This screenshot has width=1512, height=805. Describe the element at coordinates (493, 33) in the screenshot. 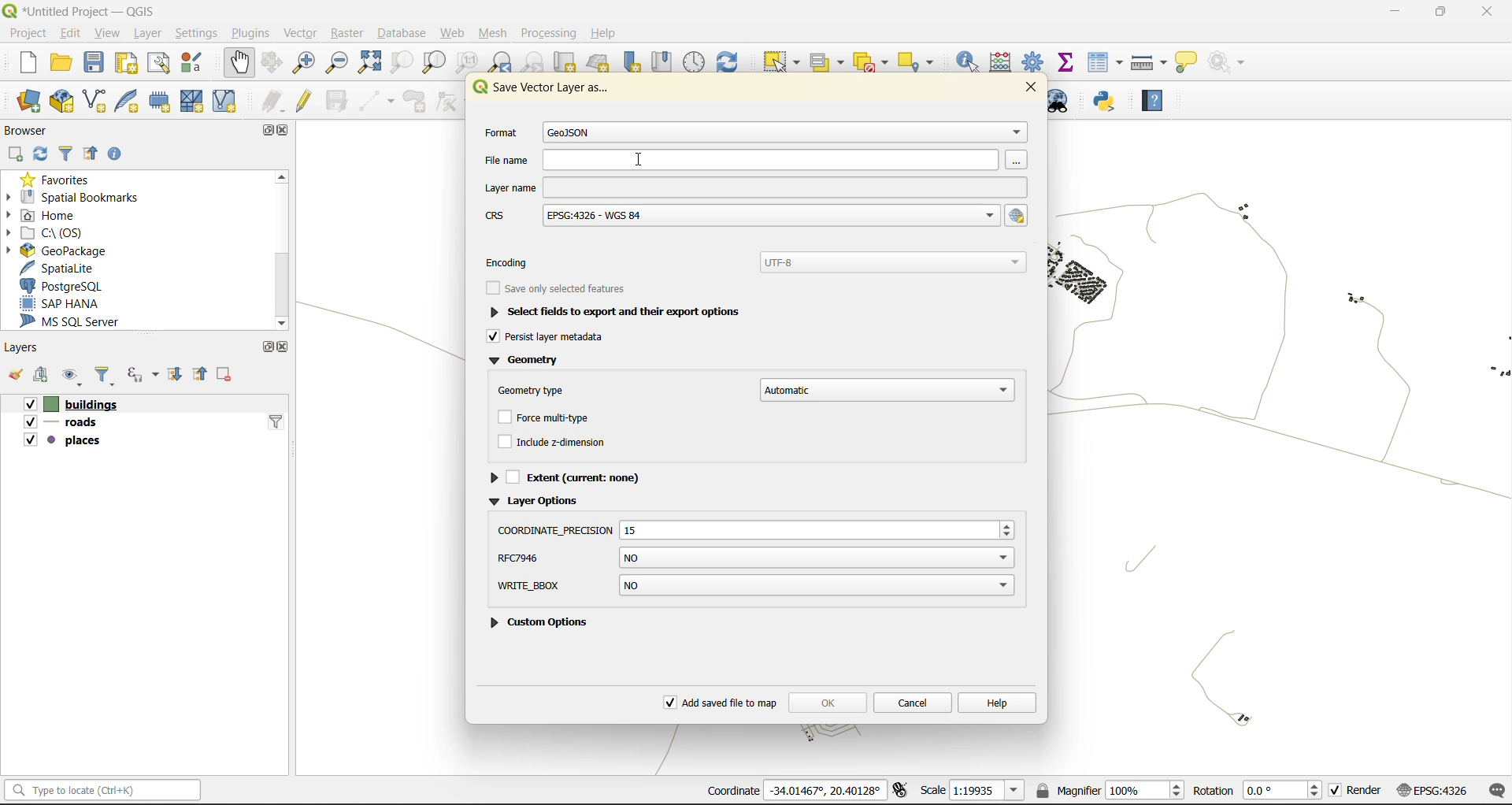

I see `mesh` at that location.